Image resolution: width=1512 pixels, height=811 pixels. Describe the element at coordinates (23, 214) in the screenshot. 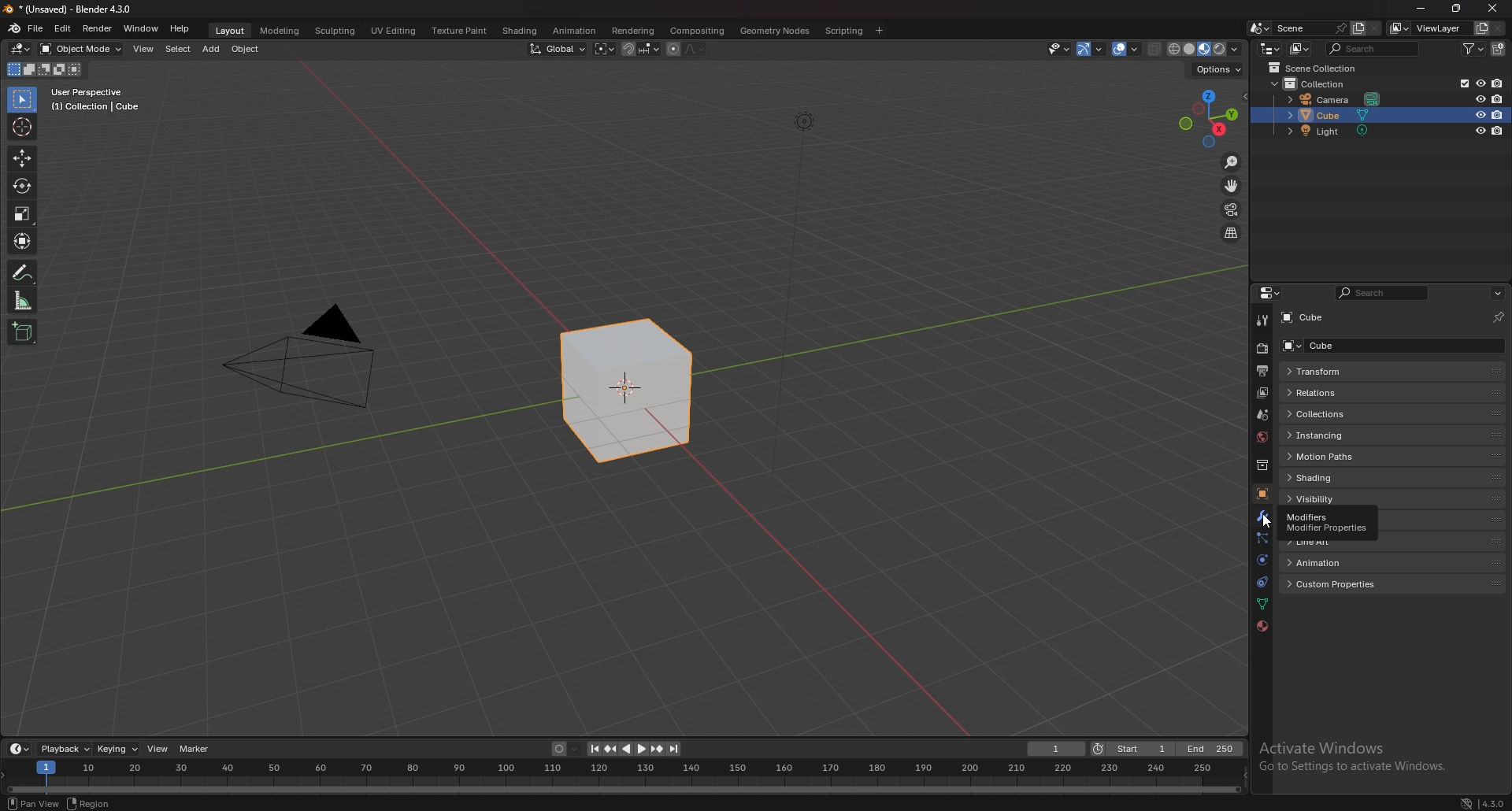

I see `scale` at that location.